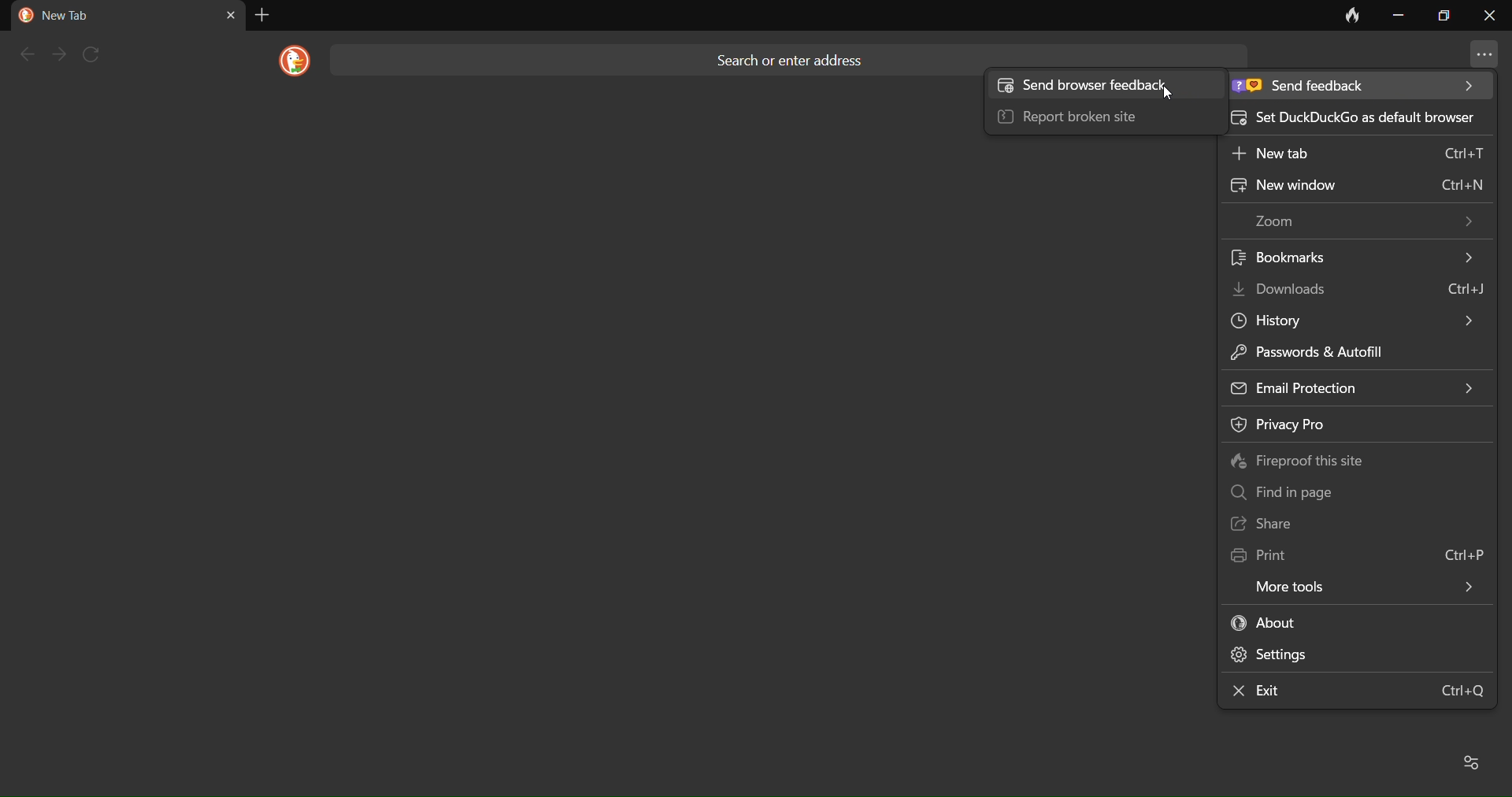 This screenshot has height=797, width=1512. I want to click on add tab, so click(261, 15).